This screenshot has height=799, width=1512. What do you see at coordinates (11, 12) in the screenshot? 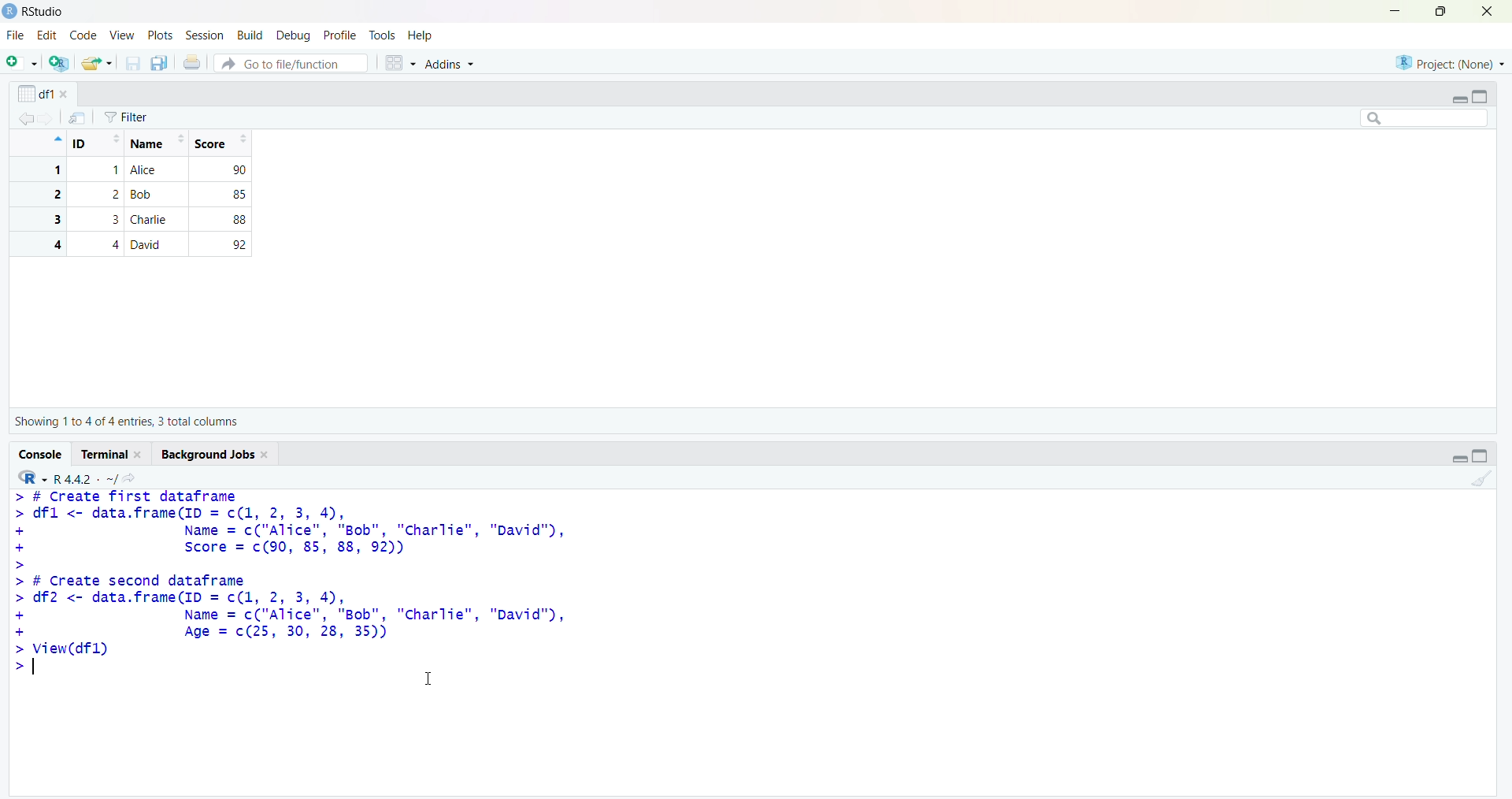
I see `logo` at bounding box center [11, 12].